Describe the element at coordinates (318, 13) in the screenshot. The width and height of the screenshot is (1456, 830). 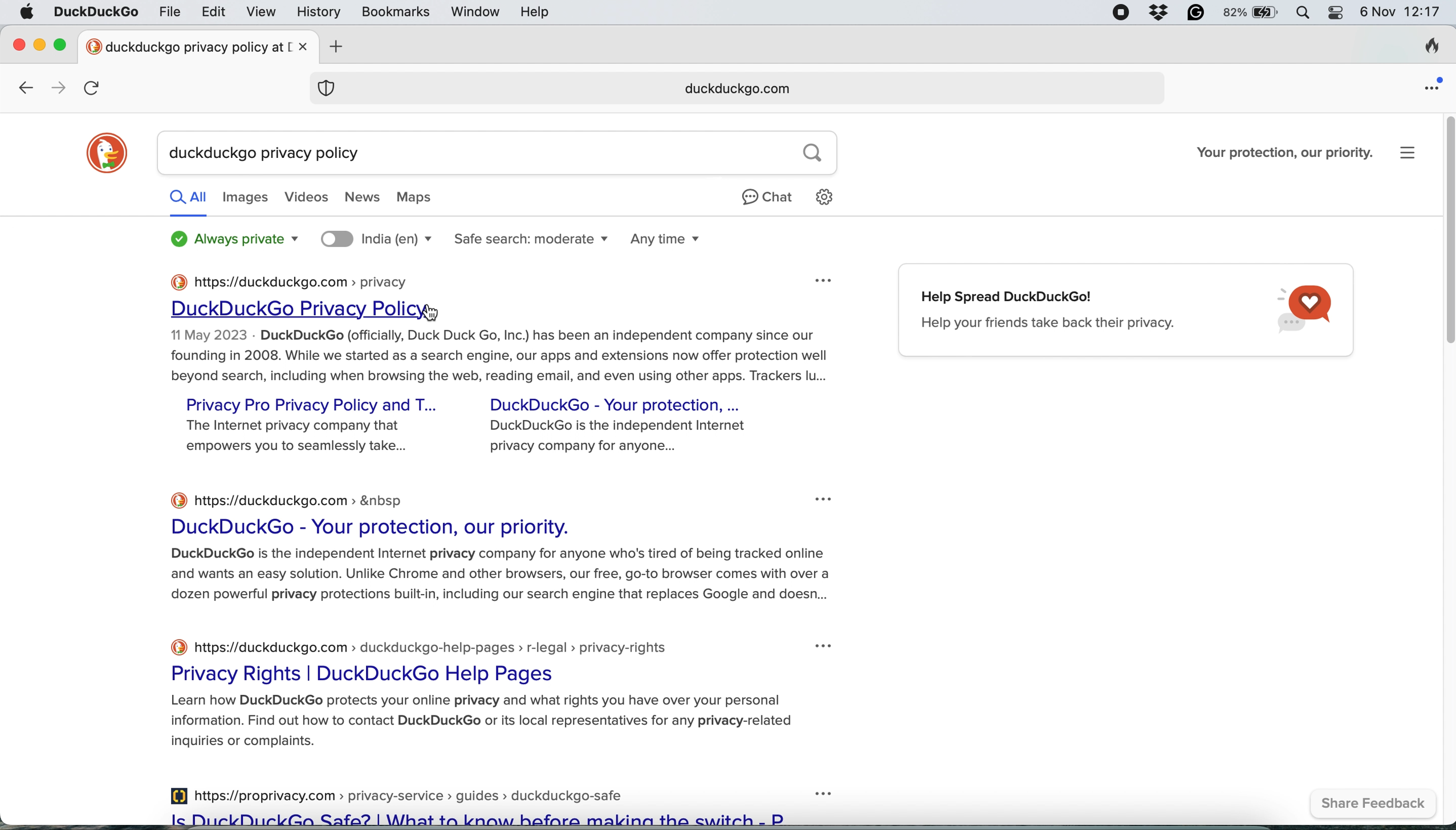
I see `history` at that location.